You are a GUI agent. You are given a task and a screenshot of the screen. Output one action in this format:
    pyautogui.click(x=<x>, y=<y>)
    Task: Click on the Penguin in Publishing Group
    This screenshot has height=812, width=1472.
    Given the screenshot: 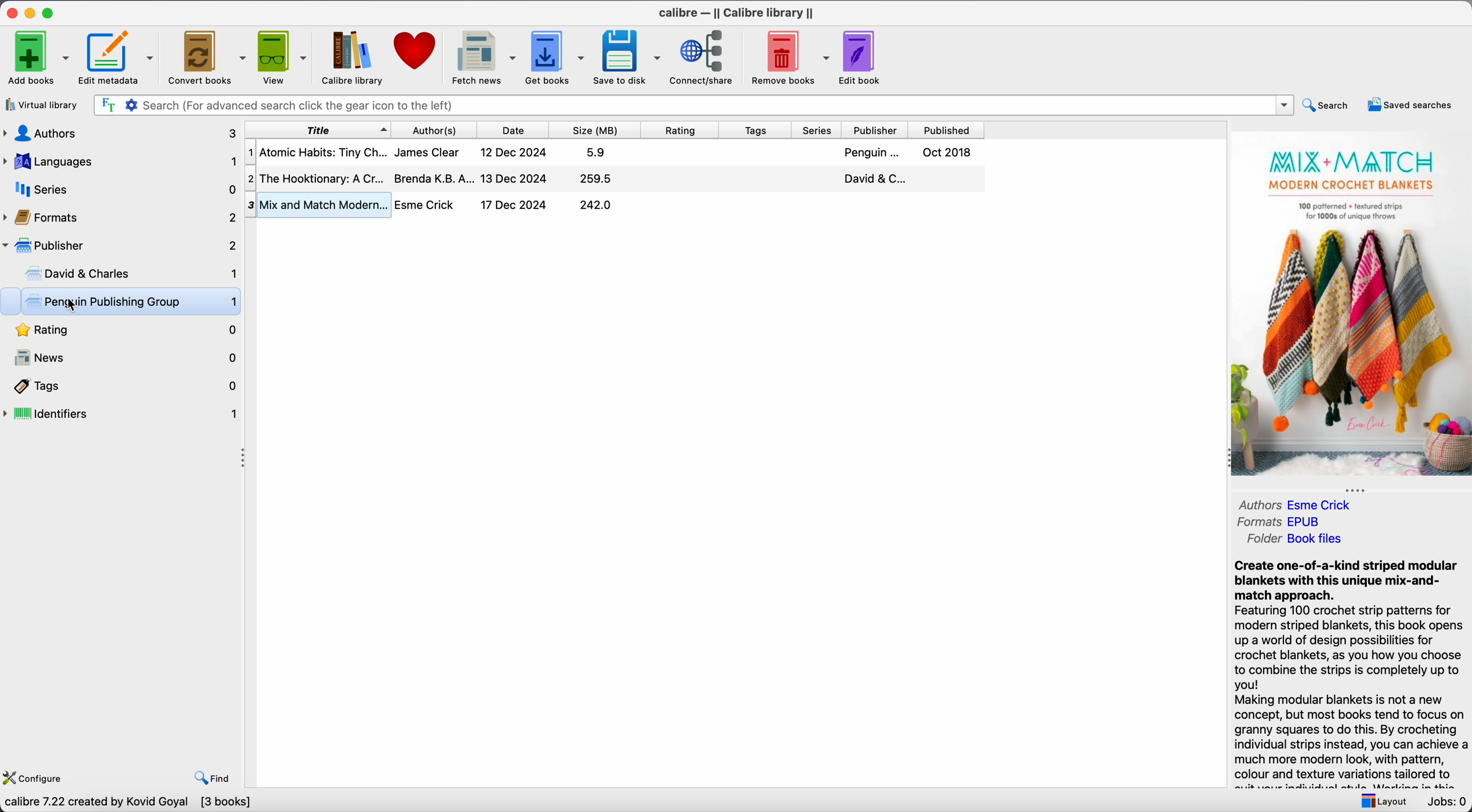 What is the action you would take?
    pyautogui.click(x=131, y=303)
    